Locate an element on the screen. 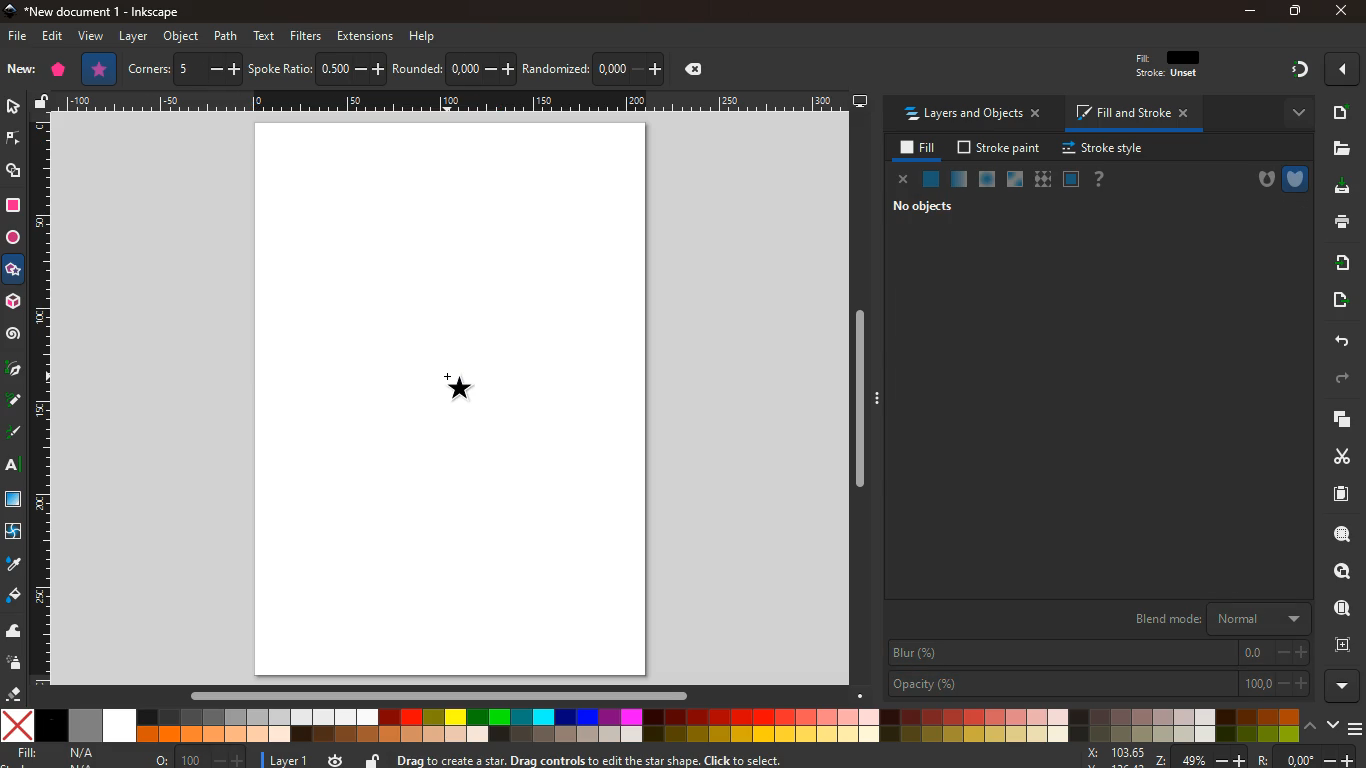 This screenshot has height=768, width=1366. normal is located at coordinates (931, 178).